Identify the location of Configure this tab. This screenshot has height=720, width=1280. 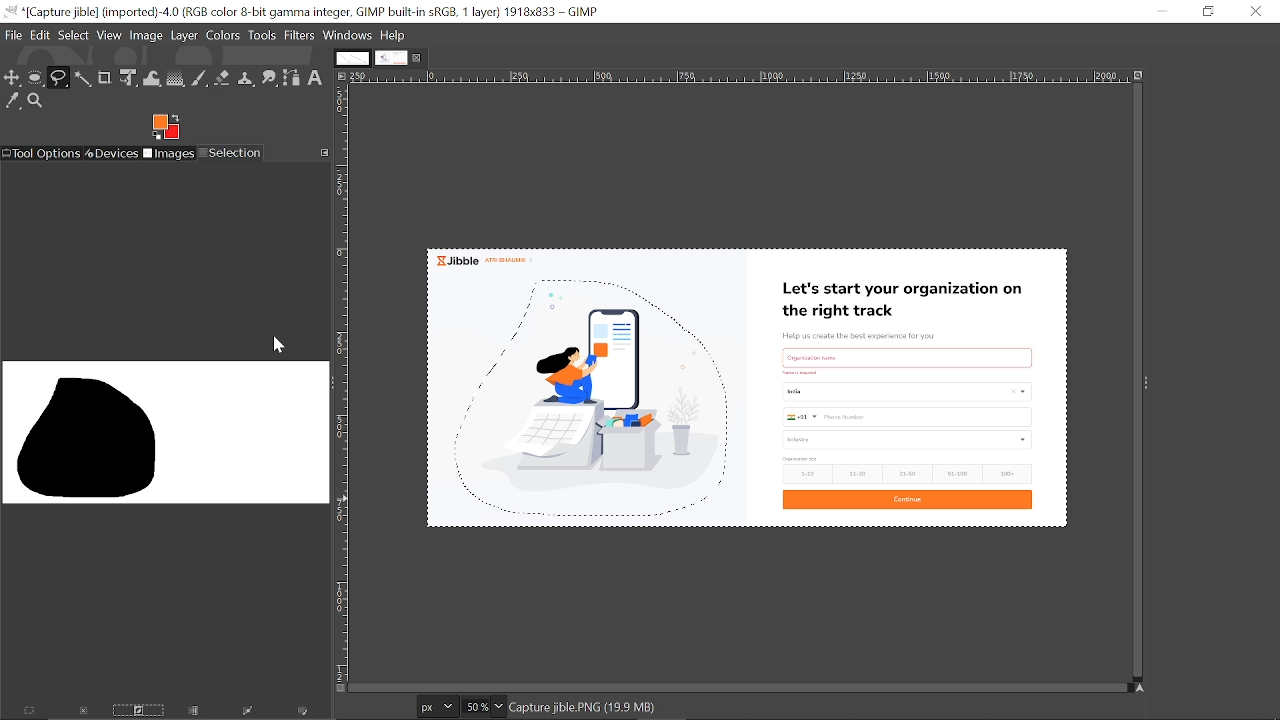
(322, 154).